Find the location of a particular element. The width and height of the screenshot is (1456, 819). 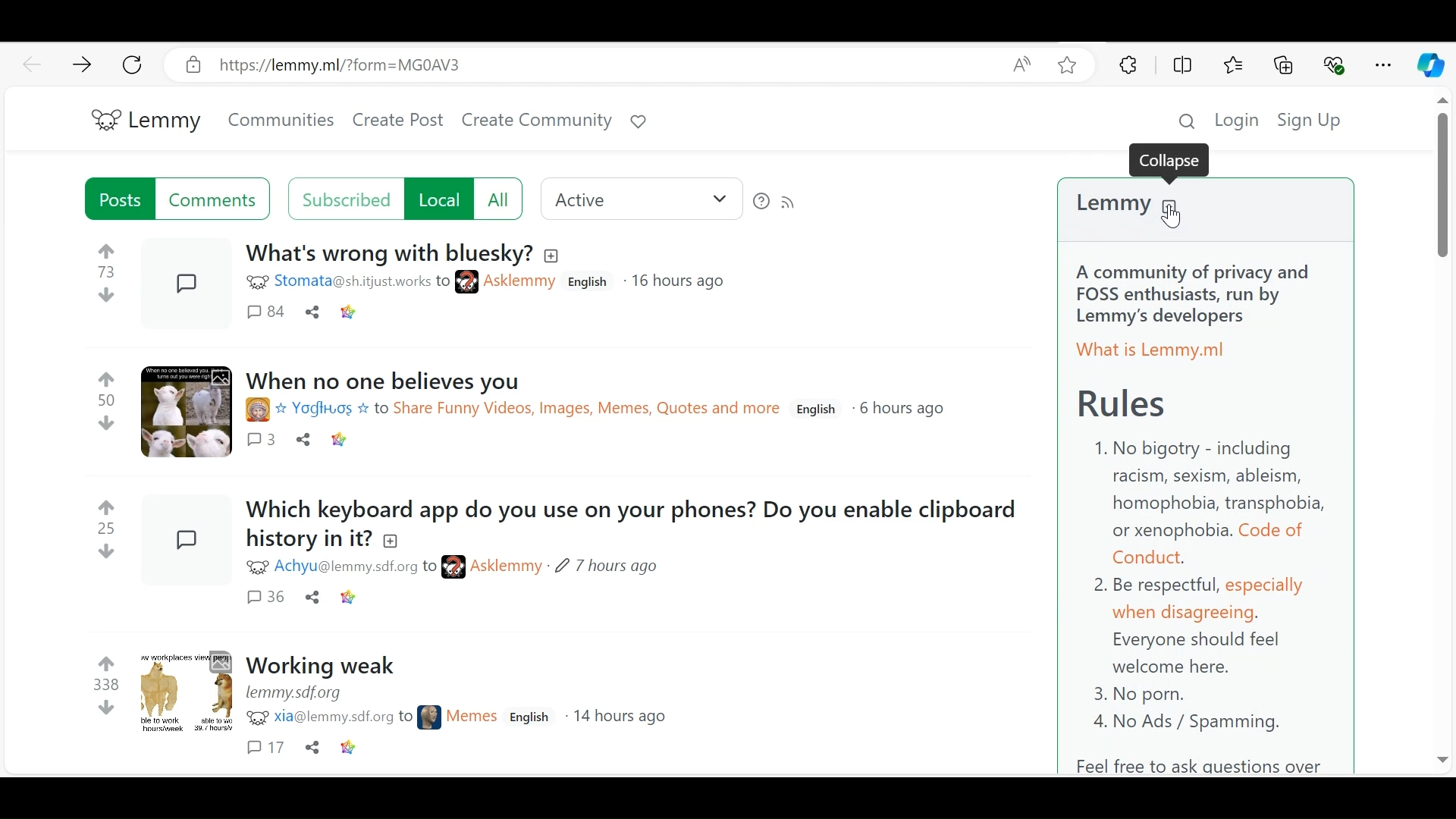

Comments is located at coordinates (265, 598).